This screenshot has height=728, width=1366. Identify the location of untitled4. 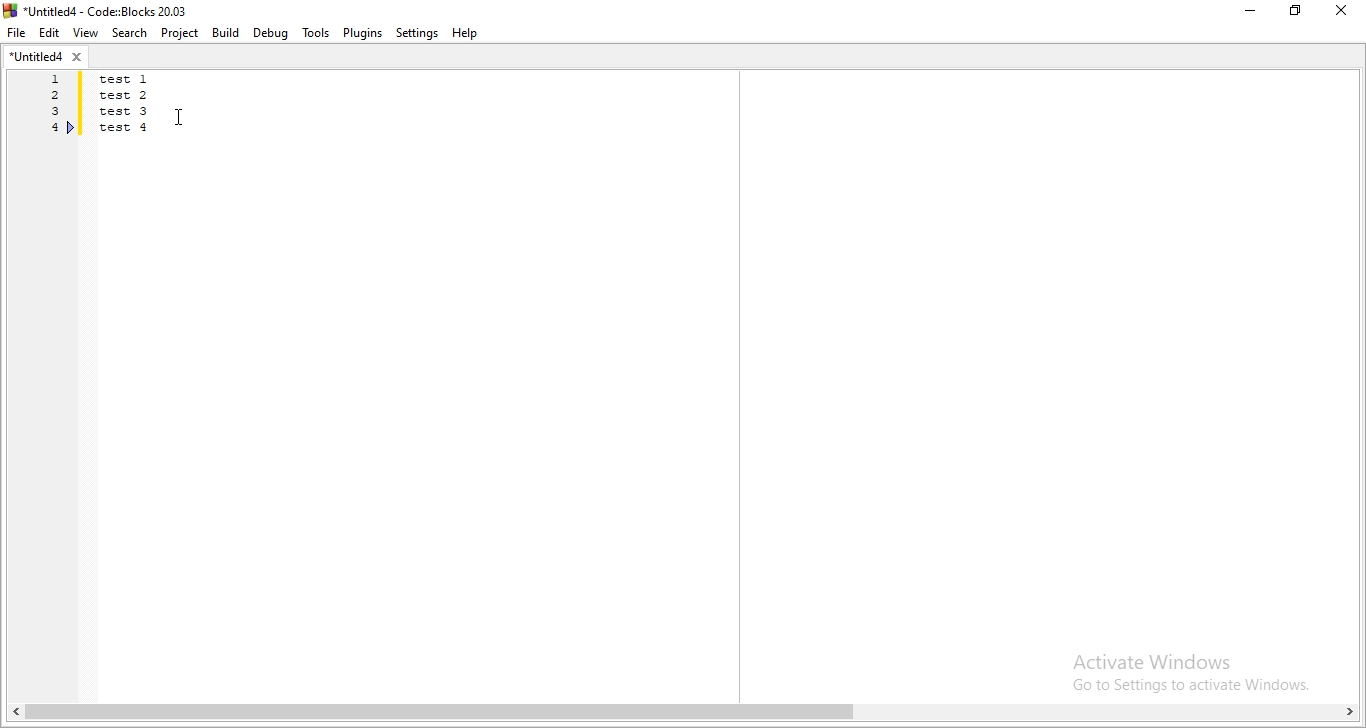
(48, 59).